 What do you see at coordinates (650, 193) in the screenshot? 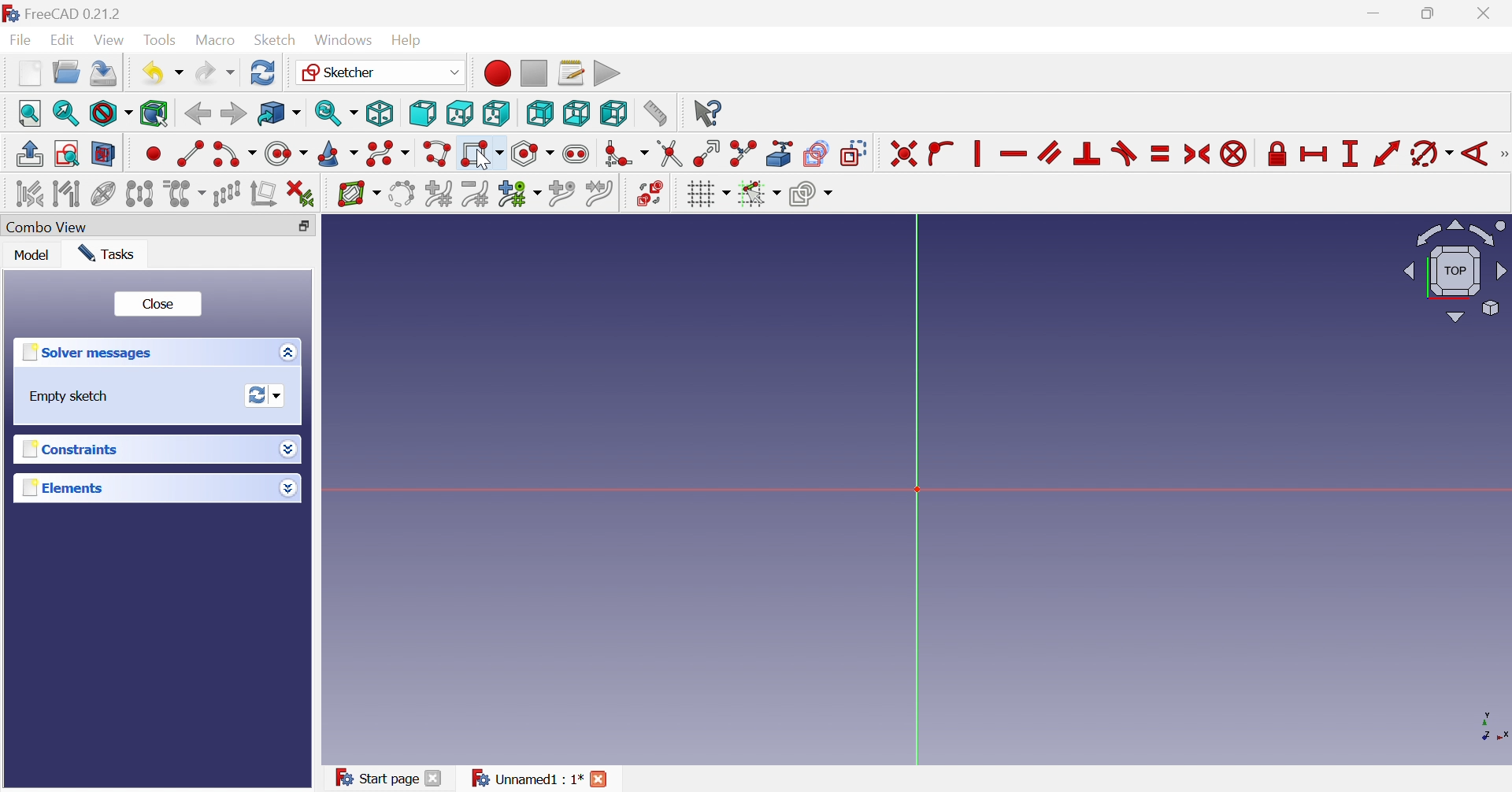
I see `Switch virtual space` at bounding box center [650, 193].